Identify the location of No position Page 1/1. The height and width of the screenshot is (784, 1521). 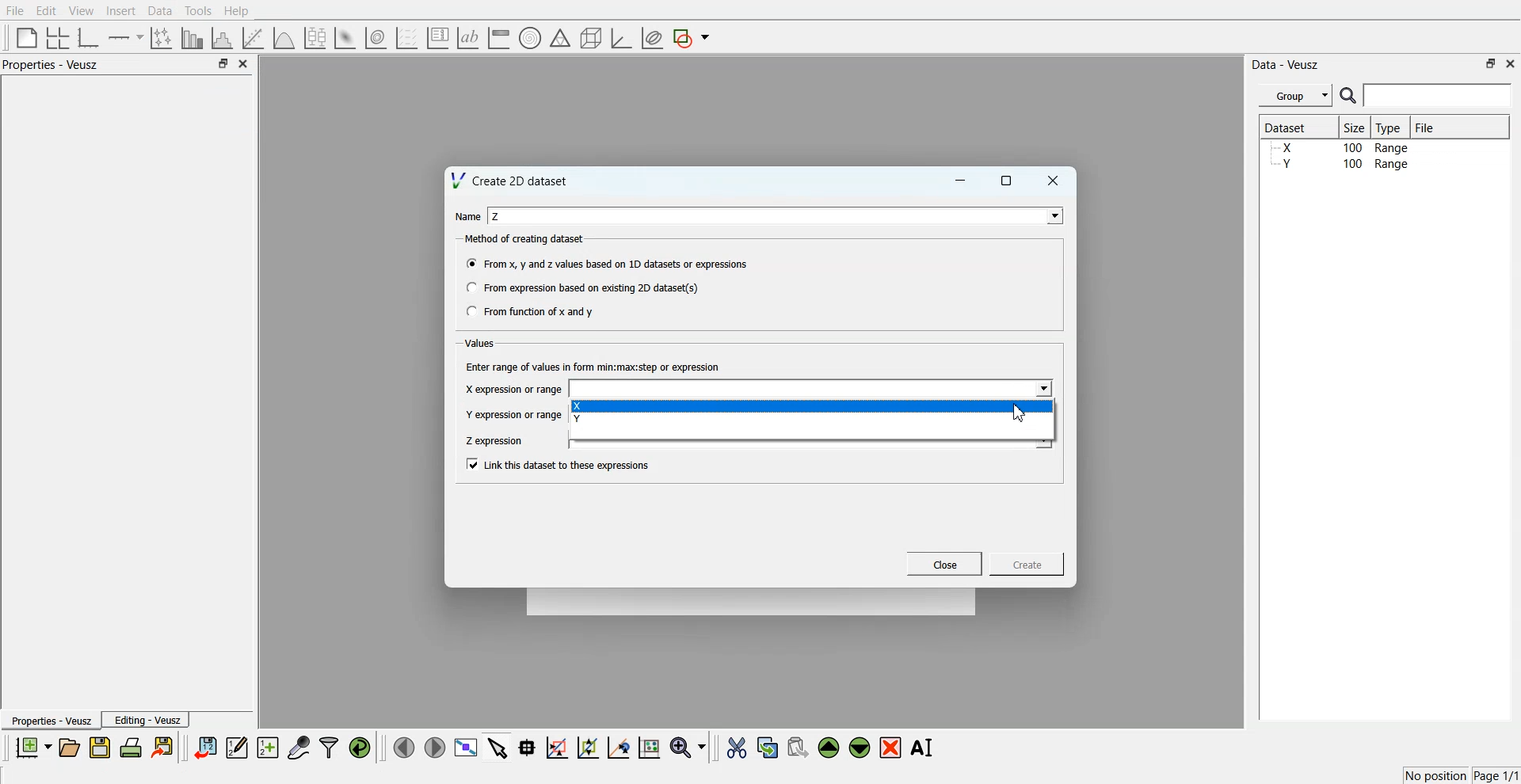
(1461, 775).